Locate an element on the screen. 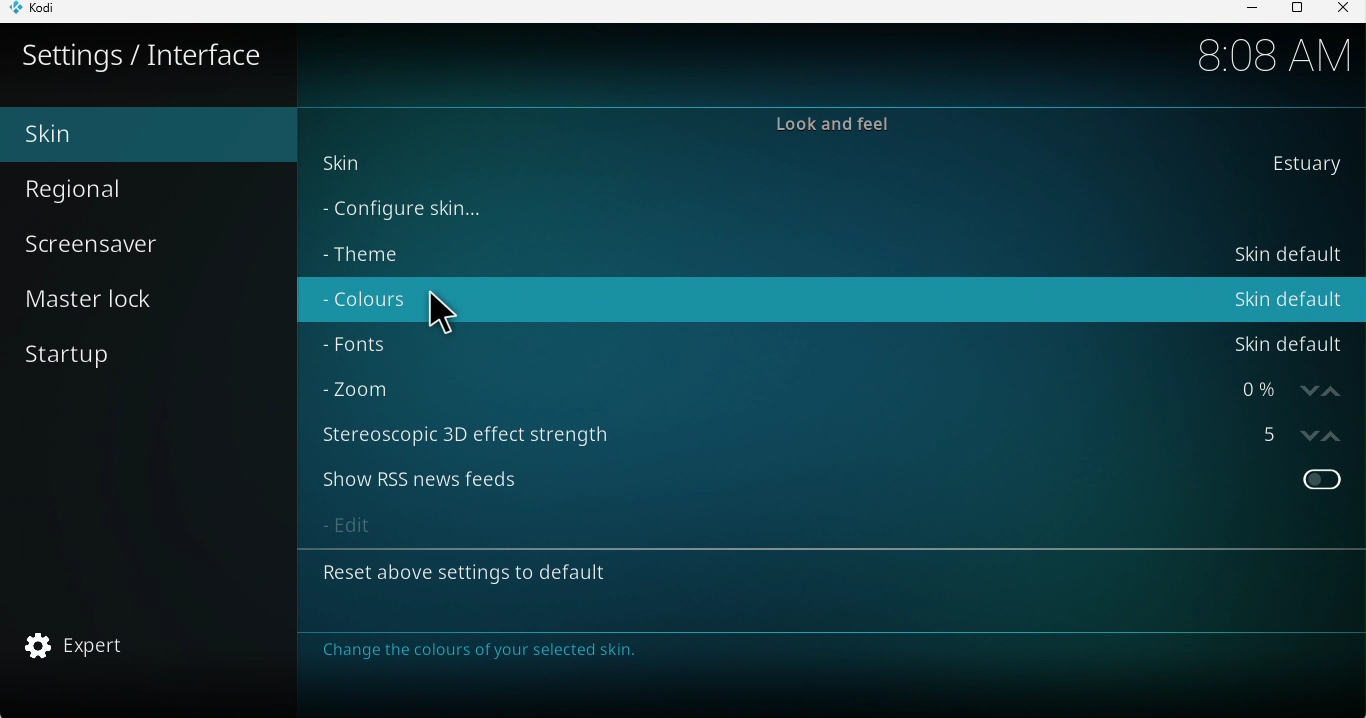 This screenshot has height=718, width=1366. Stereoscopic 3D effect strength is located at coordinates (827, 438).